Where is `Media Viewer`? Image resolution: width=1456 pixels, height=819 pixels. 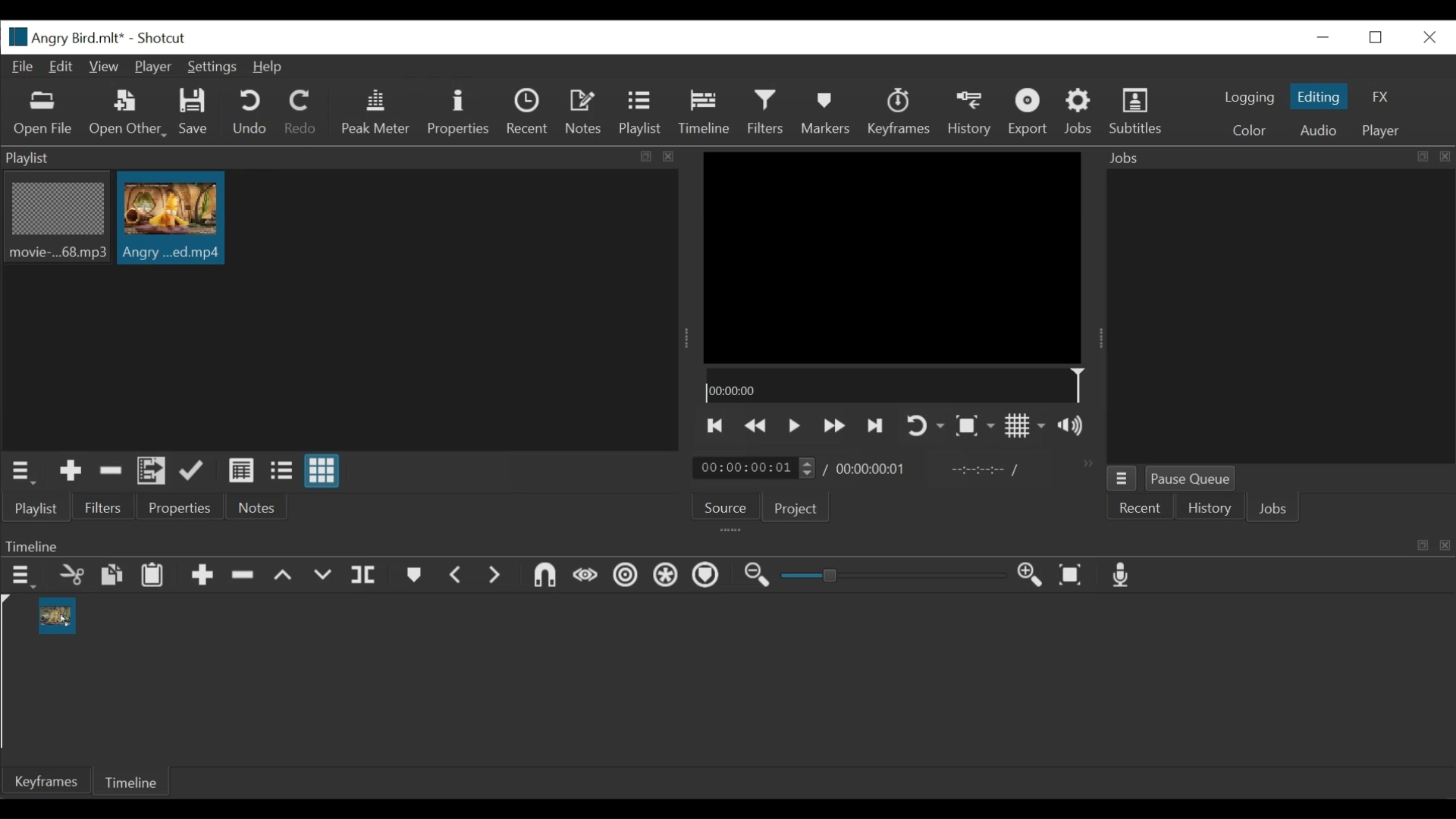
Media Viewer is located at coordinates (894, 256).